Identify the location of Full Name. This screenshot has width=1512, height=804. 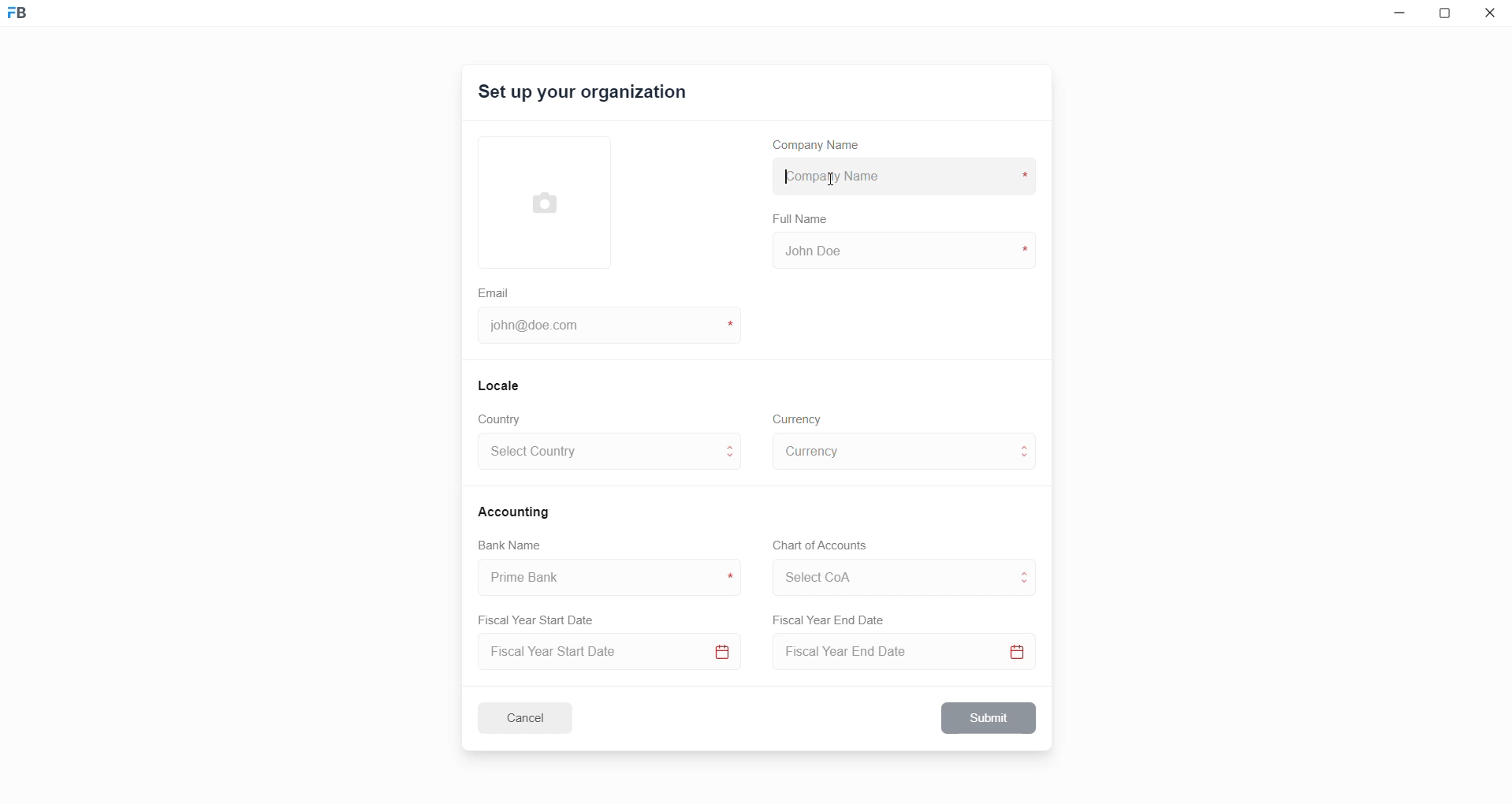
(802, 219).